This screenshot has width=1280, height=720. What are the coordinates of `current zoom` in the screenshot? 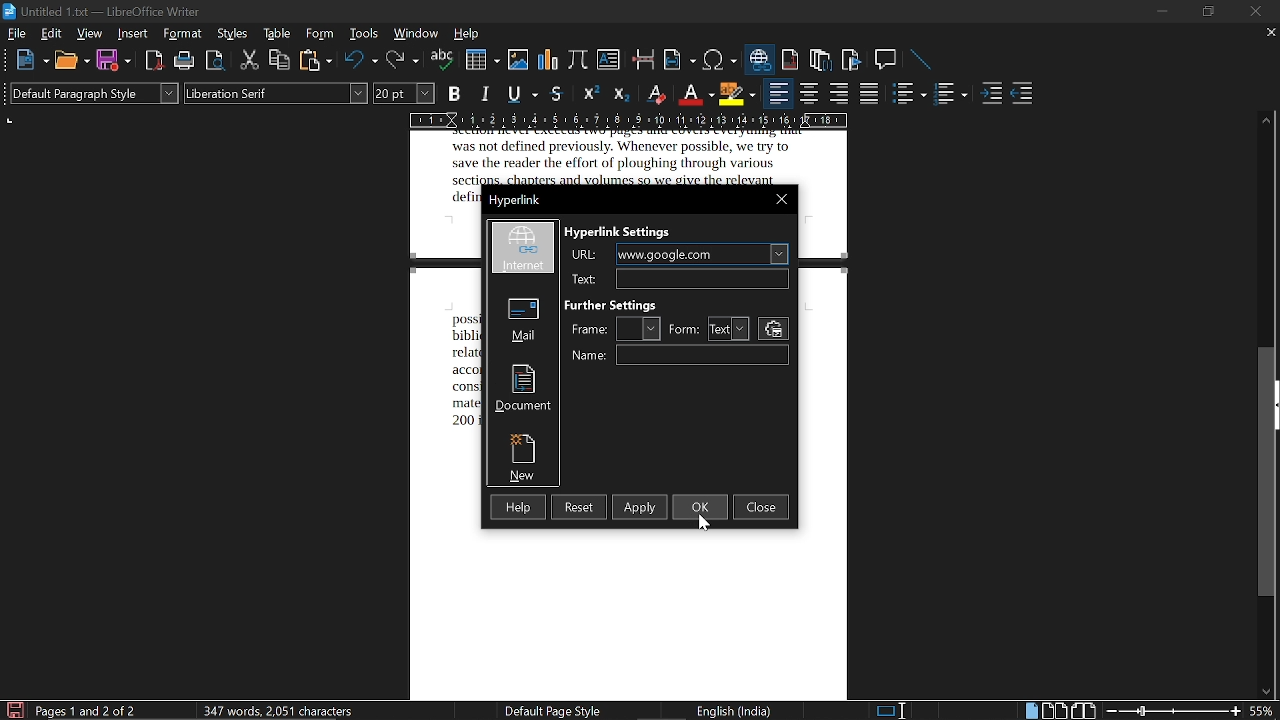 It's located at (1265, 712).